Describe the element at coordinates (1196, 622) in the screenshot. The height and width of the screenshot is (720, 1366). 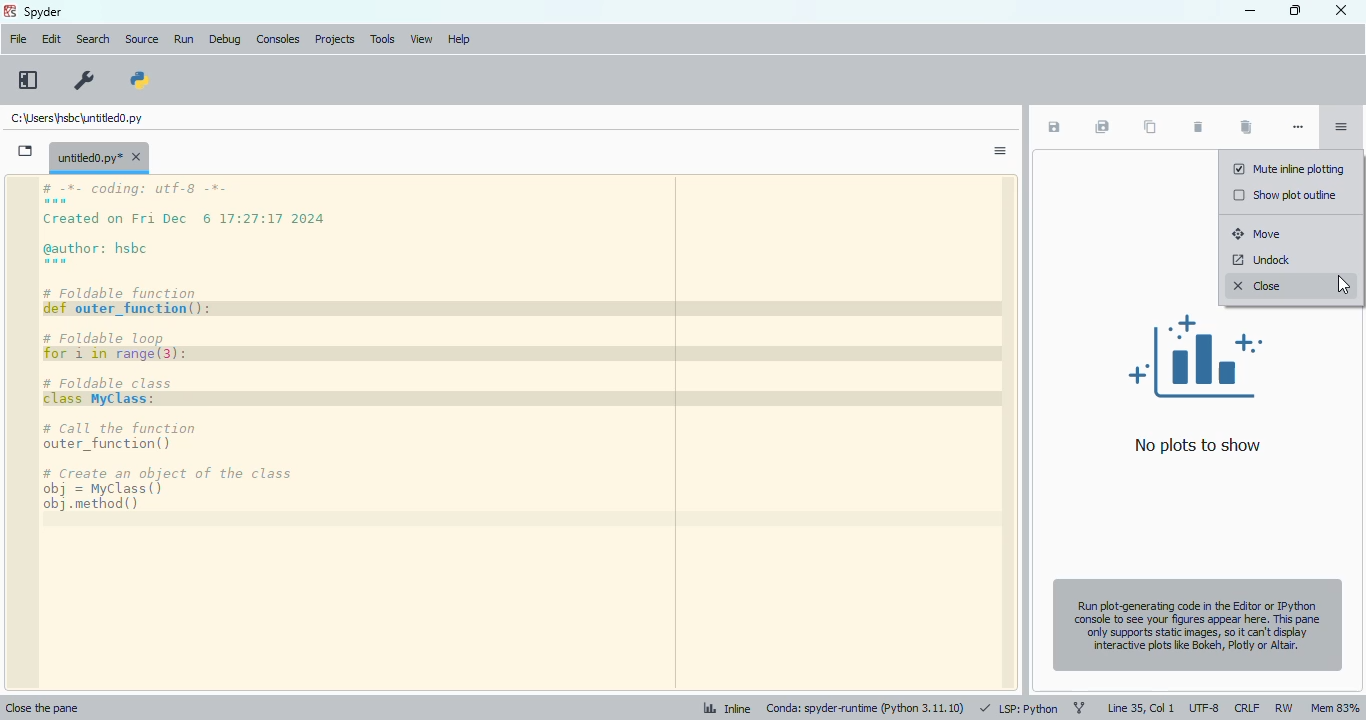
I see `plots panel info` at that location.